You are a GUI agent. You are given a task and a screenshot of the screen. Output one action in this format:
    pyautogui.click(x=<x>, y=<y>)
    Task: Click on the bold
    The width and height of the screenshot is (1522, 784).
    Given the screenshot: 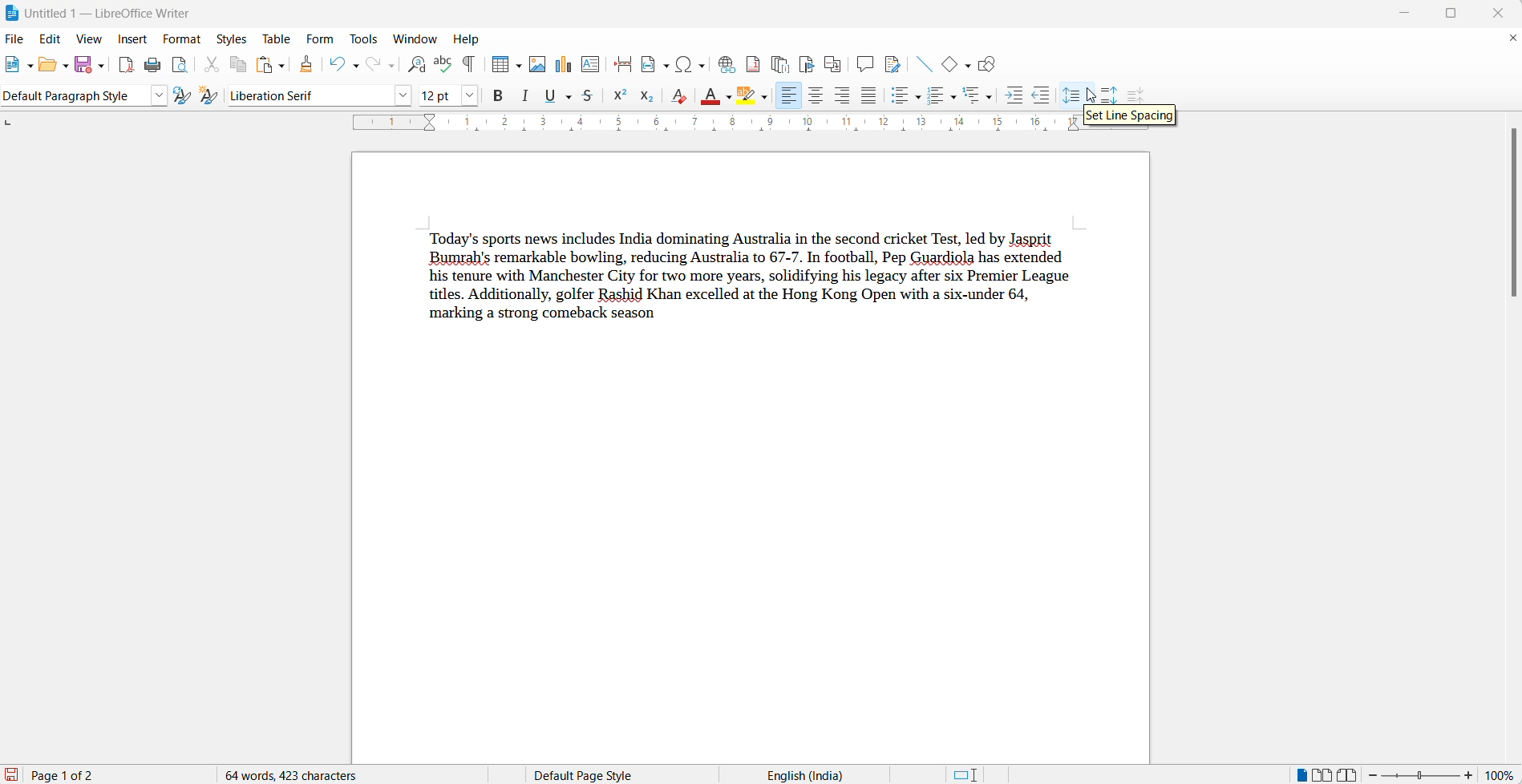 What is the action you would take?
    pyautogui.click(x=499, y=96)
    